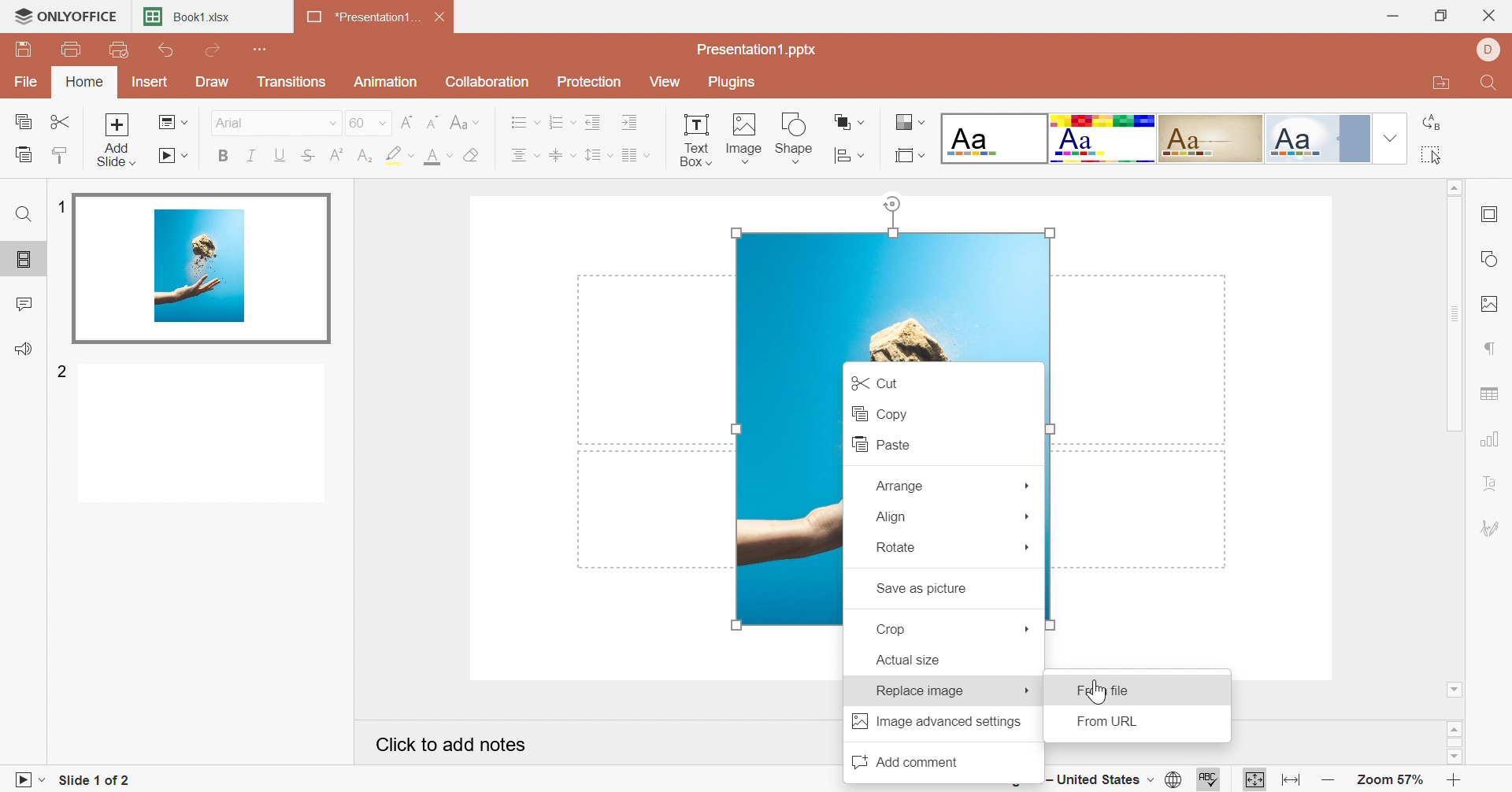 The width and height of the screenshot is (1512, 792). What do you see at coordinates (26, 780) in the screenshot?
I see `Start slideshow` at bounding box center [26, 780].